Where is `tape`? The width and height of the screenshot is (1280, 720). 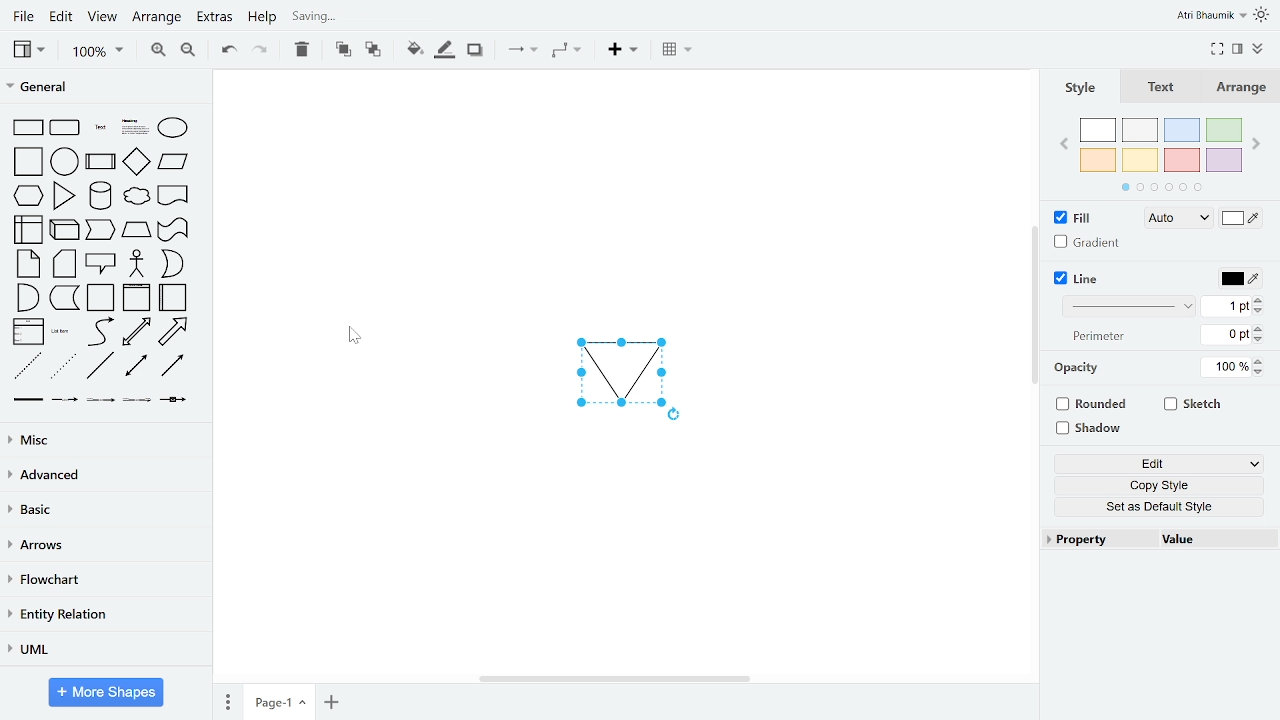
tape is located at coordinates (171, 232).